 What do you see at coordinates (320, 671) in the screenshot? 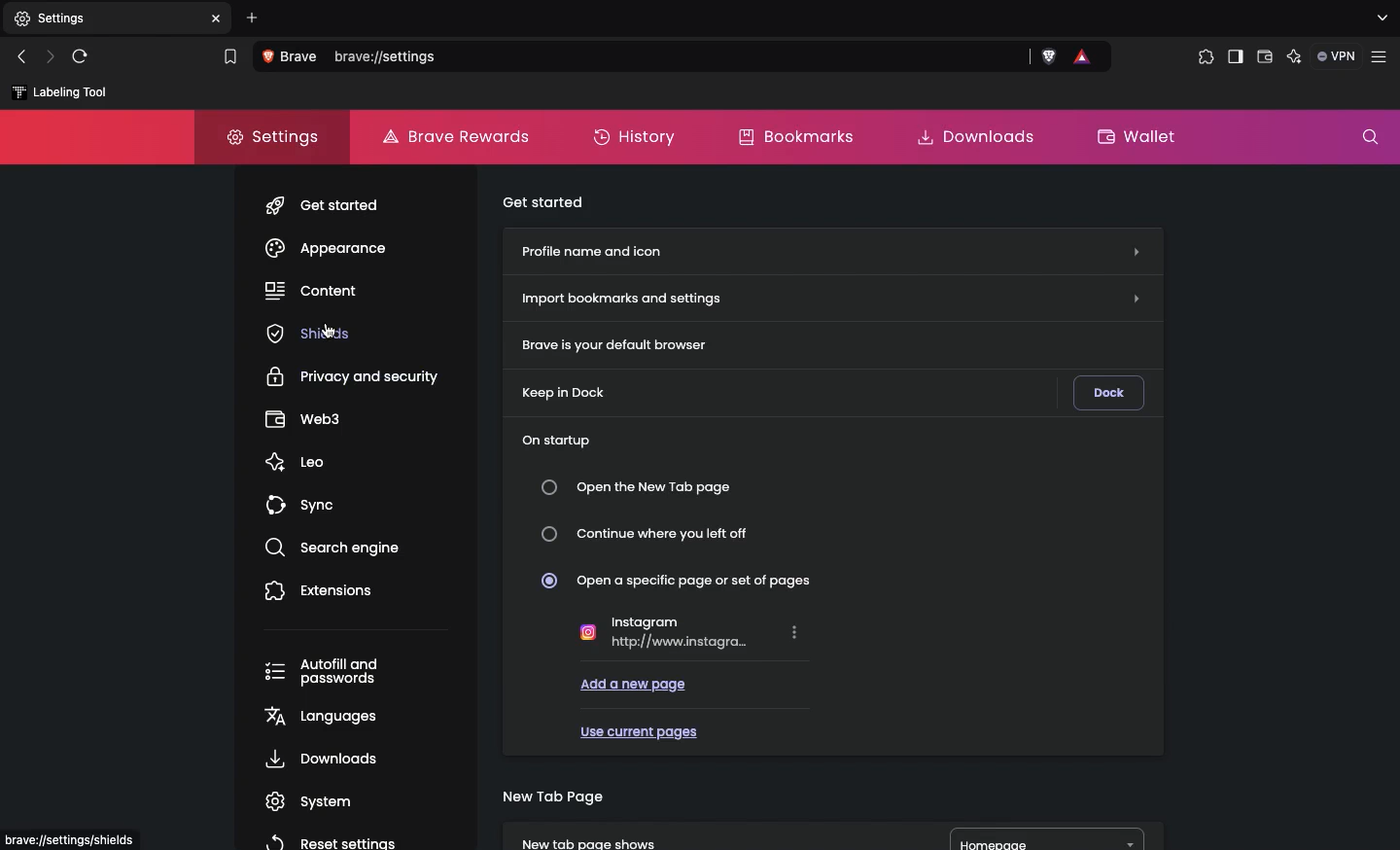
I see `Autofill and passwords` at bounding box center [320, 671].